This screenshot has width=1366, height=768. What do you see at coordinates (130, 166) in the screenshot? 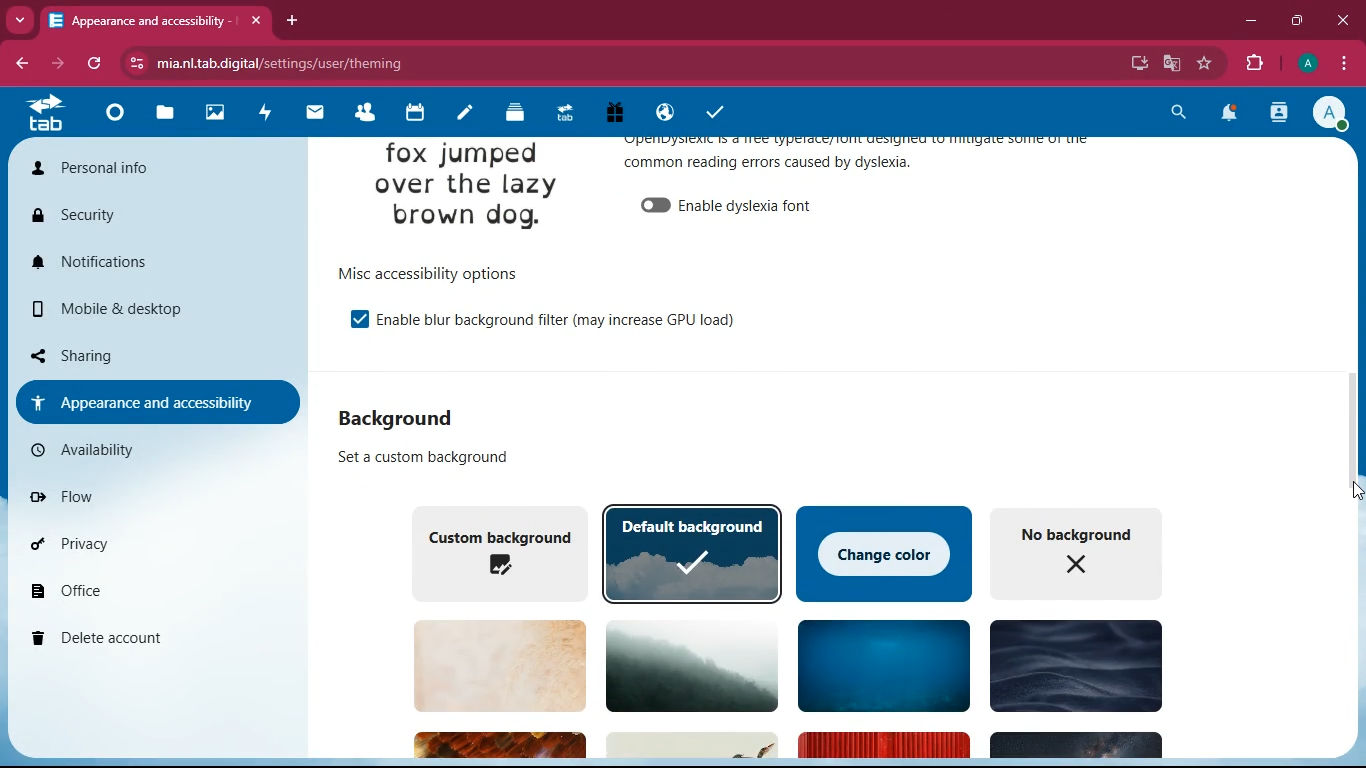
I see `personal info` at bounding box center [130, 166].